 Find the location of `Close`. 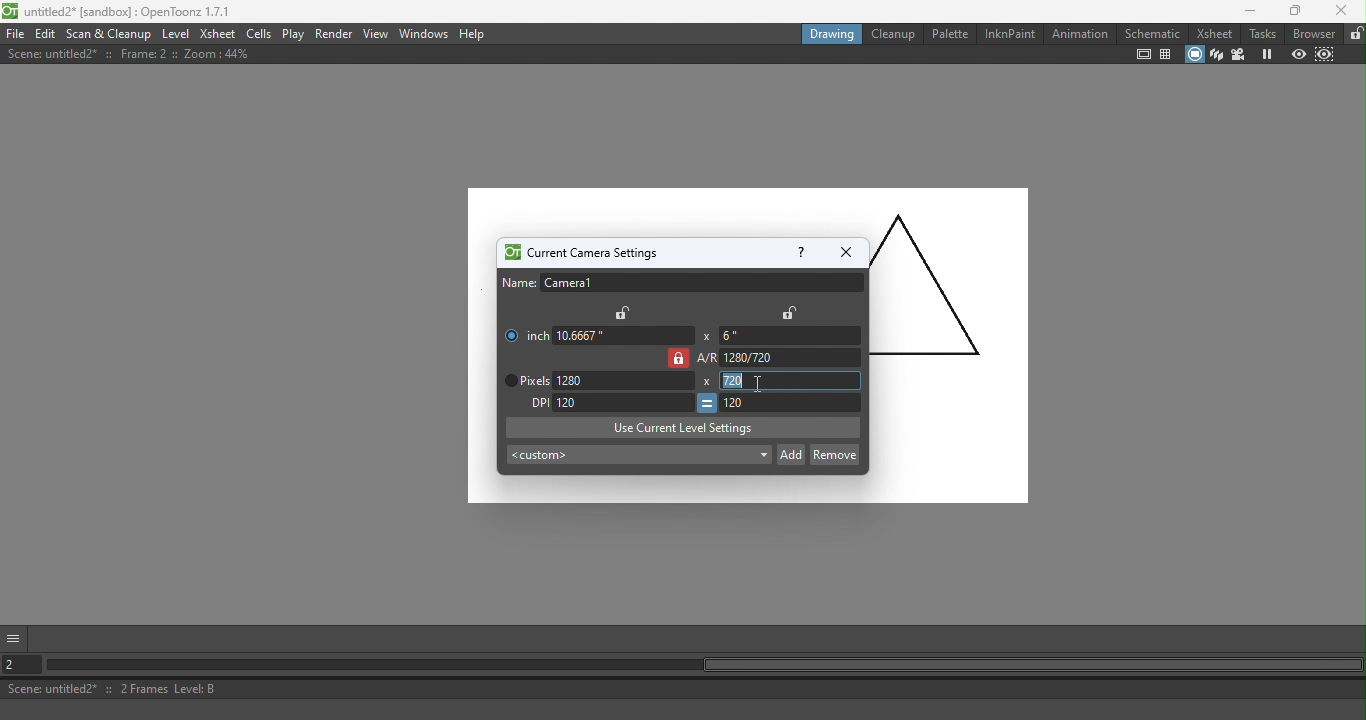

Close is located at coordinates (1341, 11).